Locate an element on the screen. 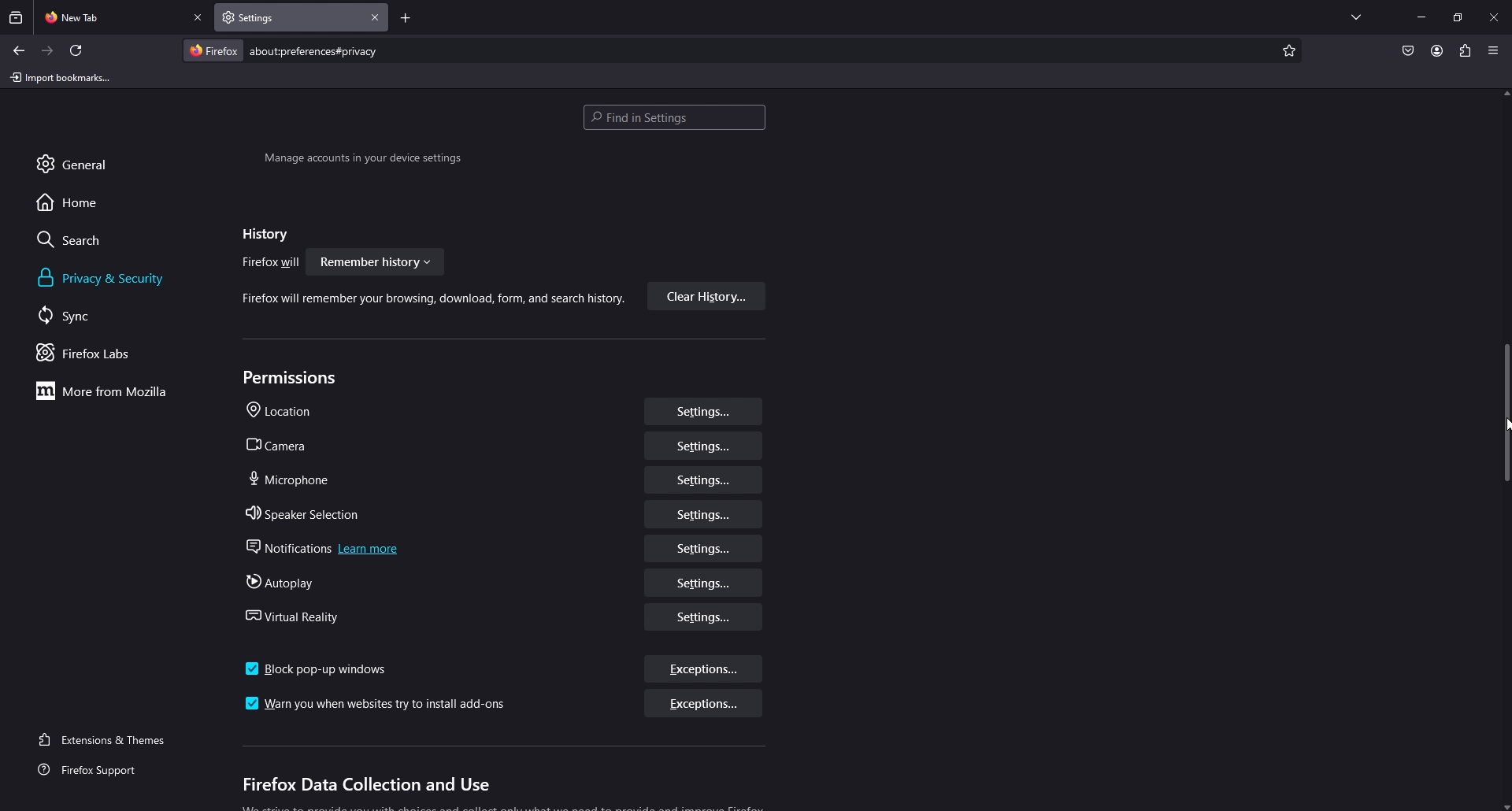 This screenshot has height=811, width=1512. autoplay is located at coordinates (286, 583).